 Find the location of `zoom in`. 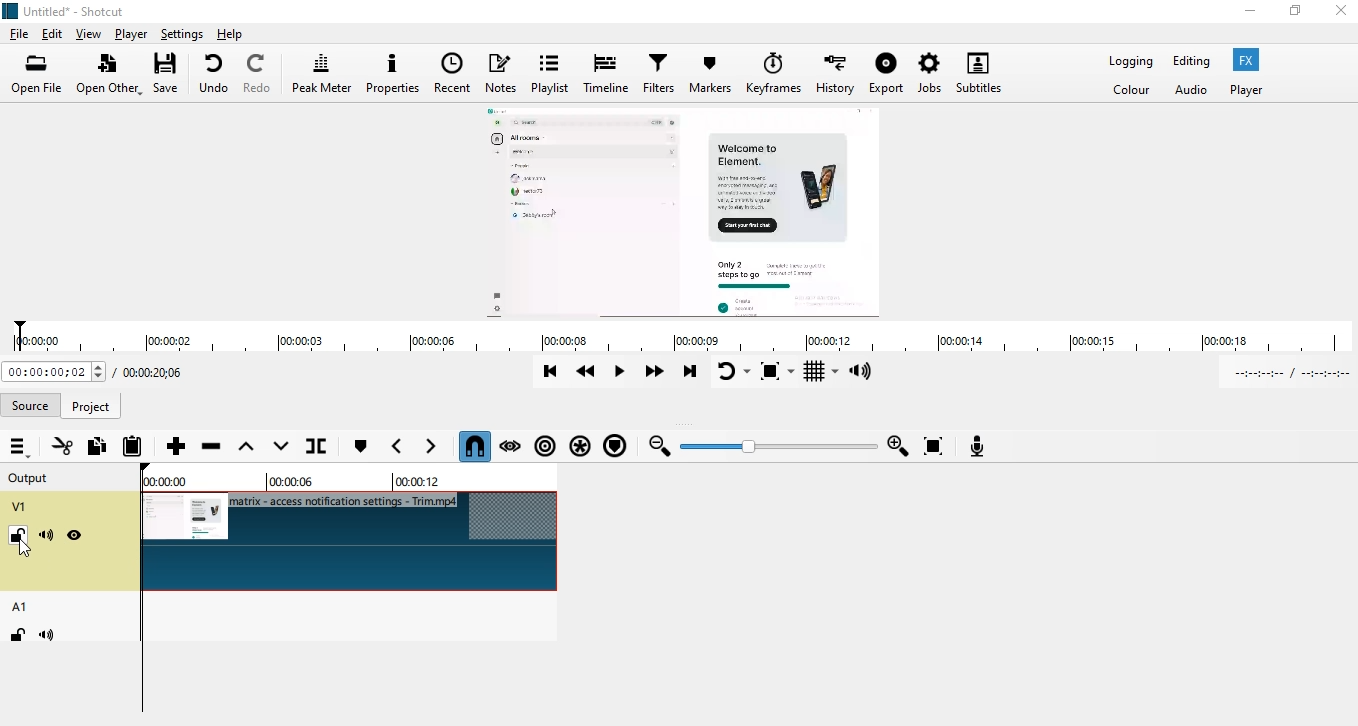

zoom in is located at coordinates (899, 446).